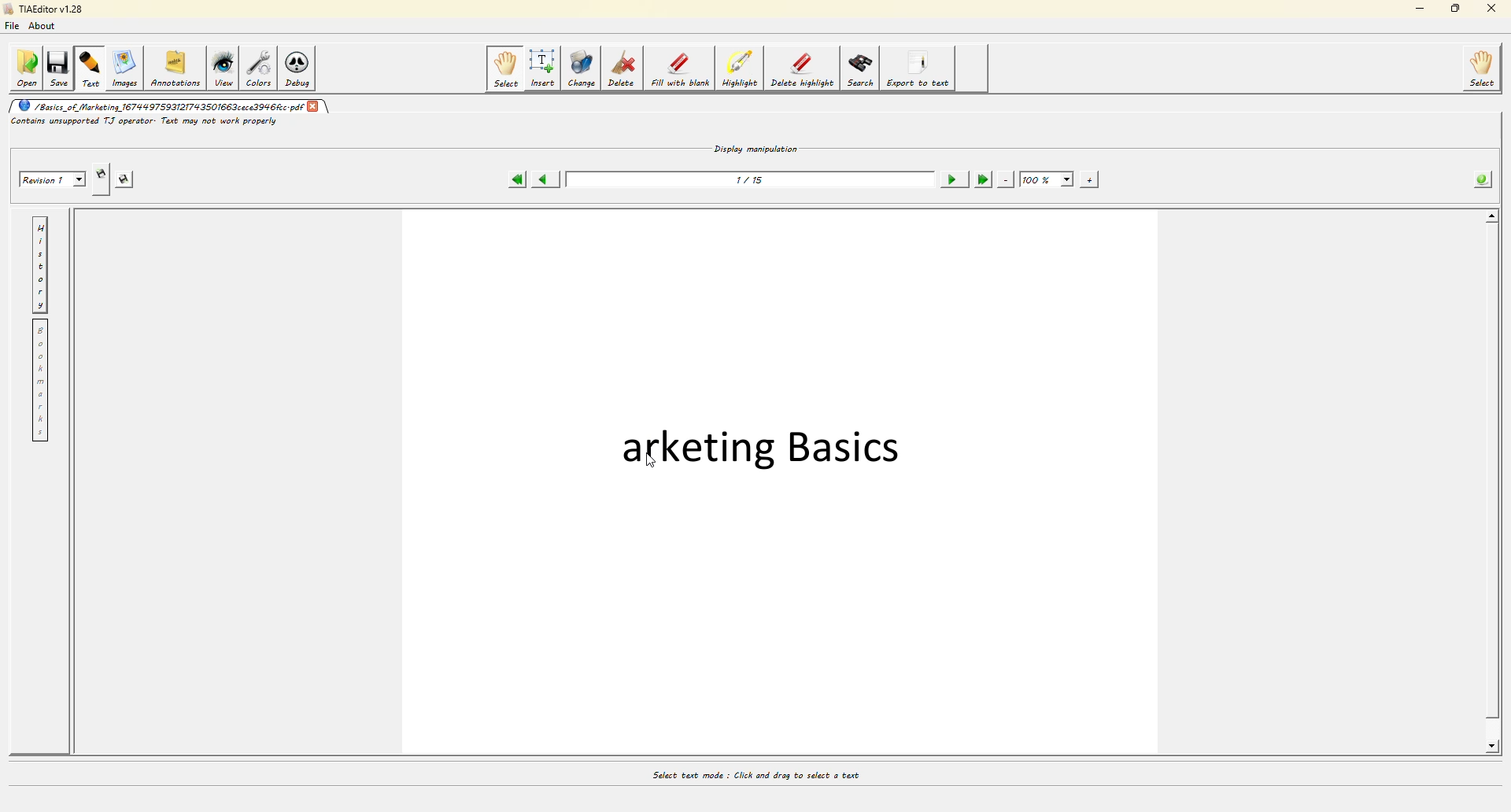 The image size is (1511, 812). I want to click on minimize, so click(1417, 10).